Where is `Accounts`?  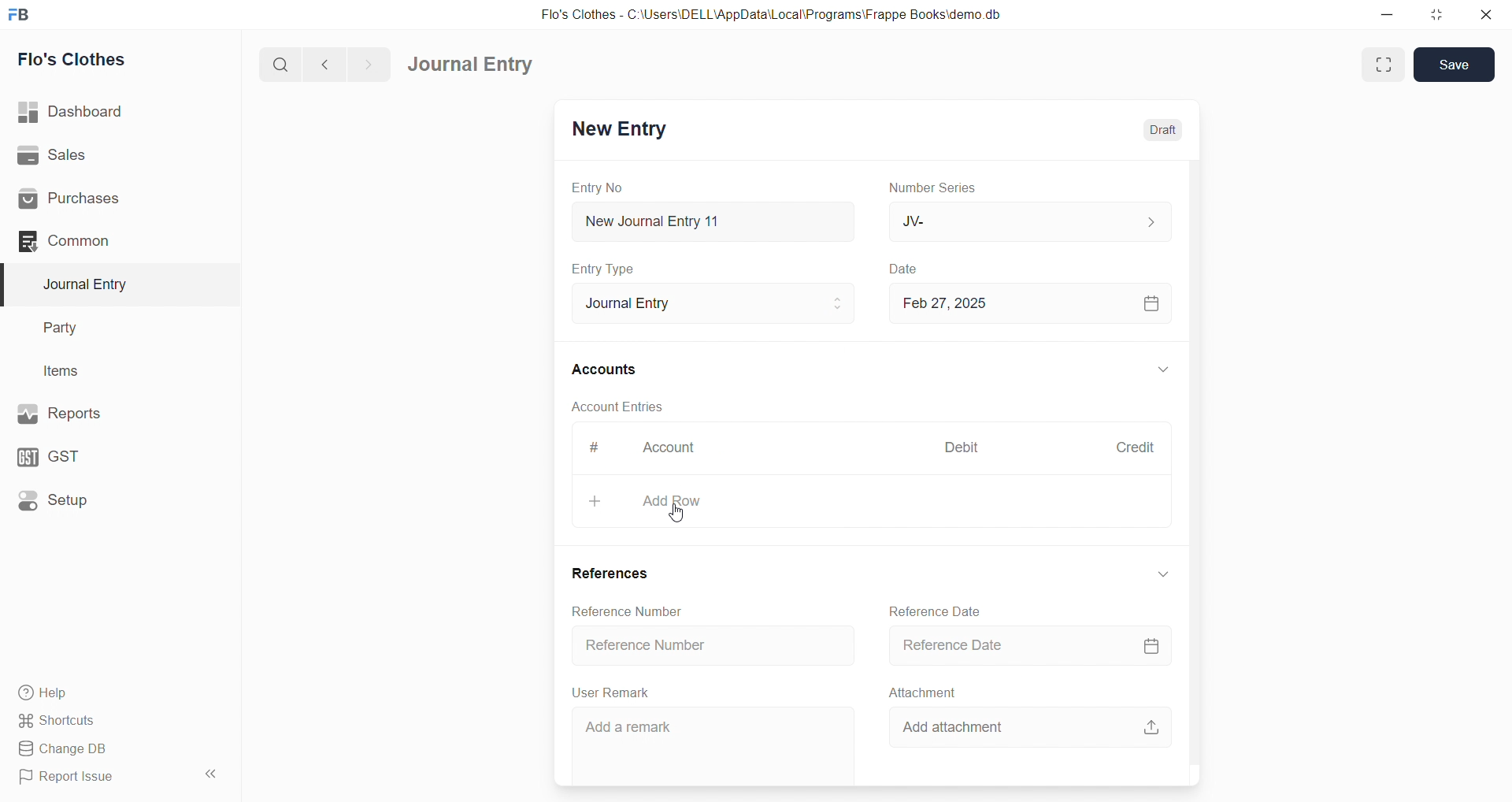 Accounts is located at coordinates (605, 370).